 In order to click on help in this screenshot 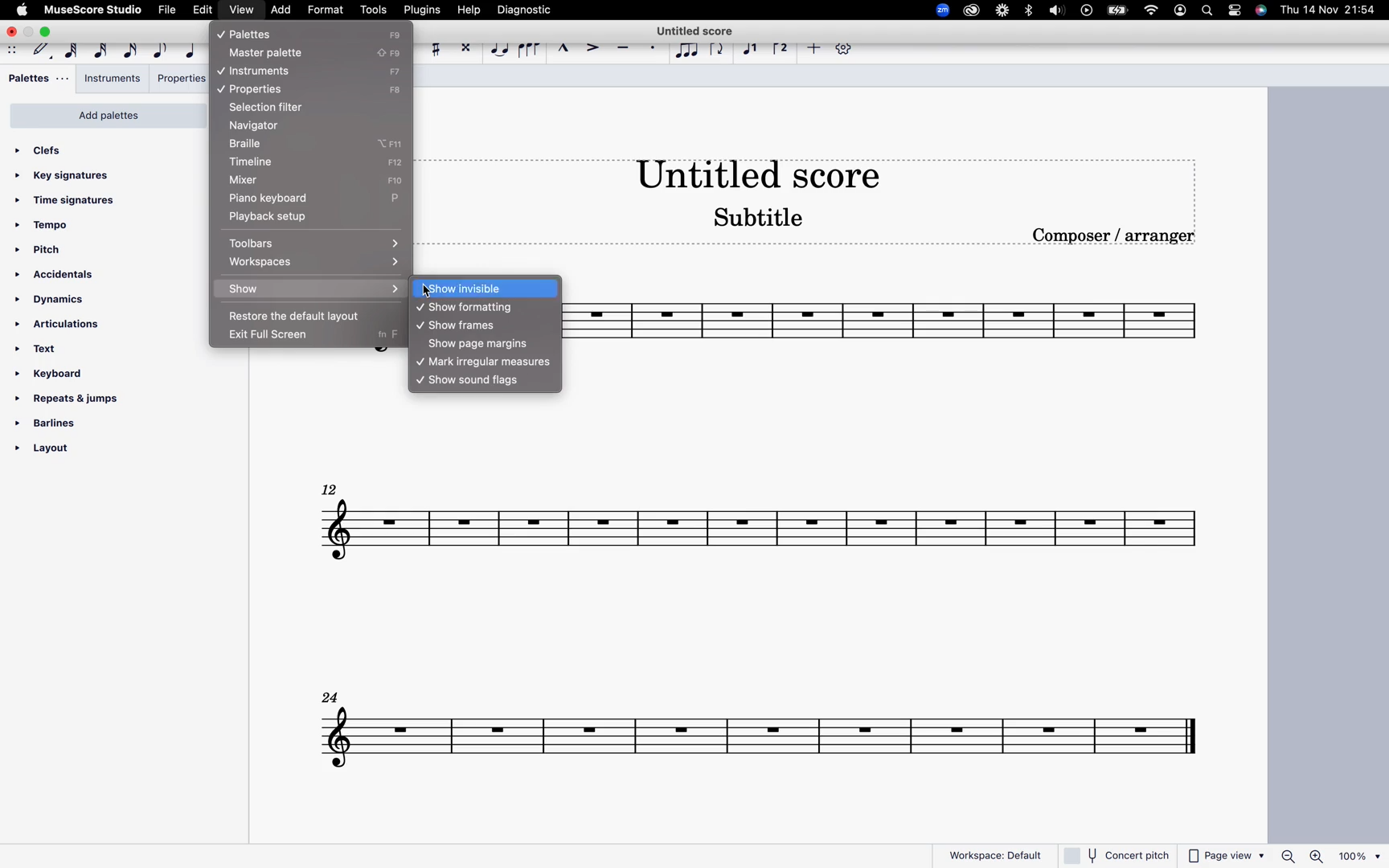, I will do `click(469, 11)`.